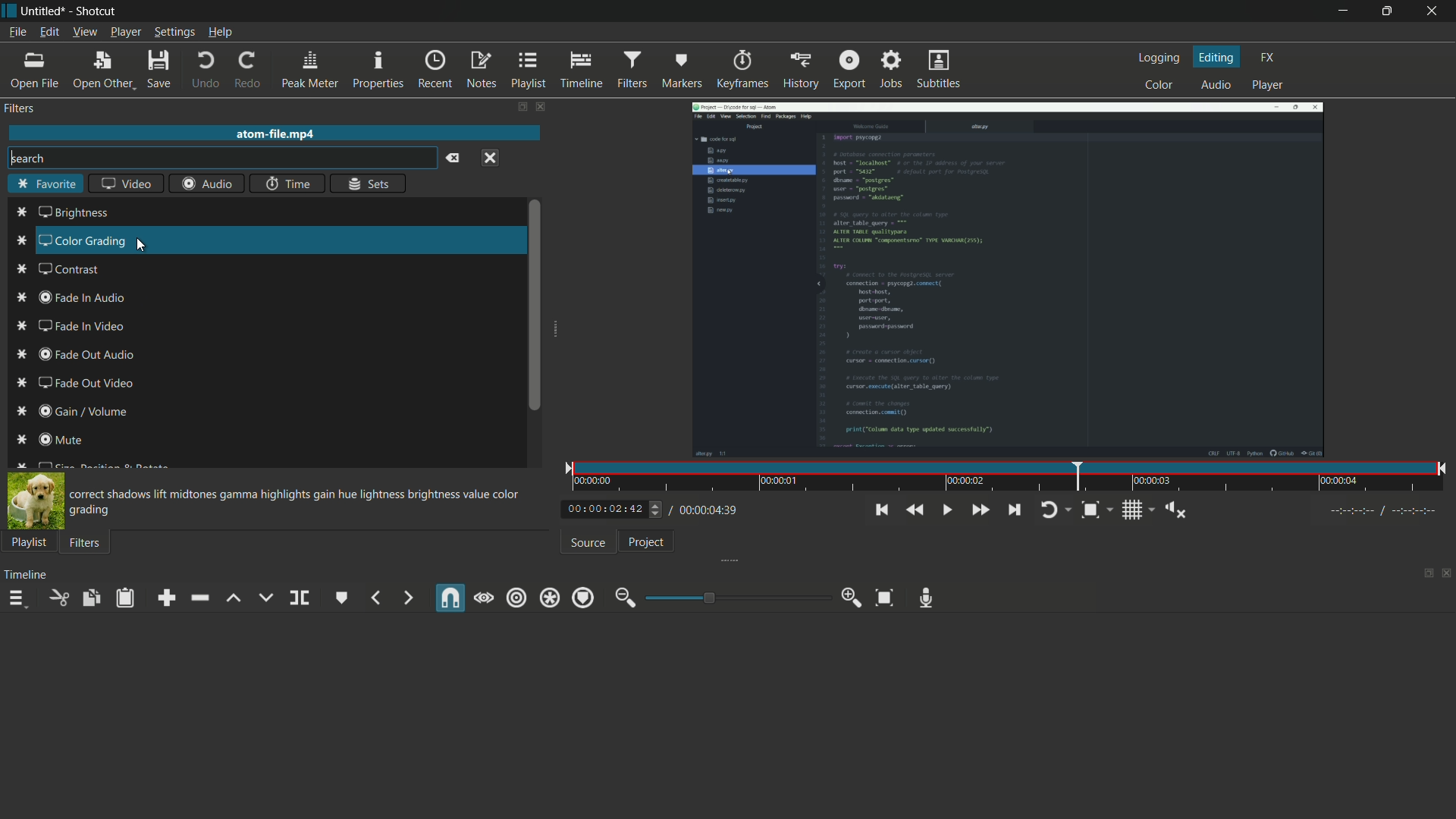 The width and height of the screenshot is (1456, 819). Describe the element at coordinates (538, 106) in the screenshot. I see `close filter` at that location.